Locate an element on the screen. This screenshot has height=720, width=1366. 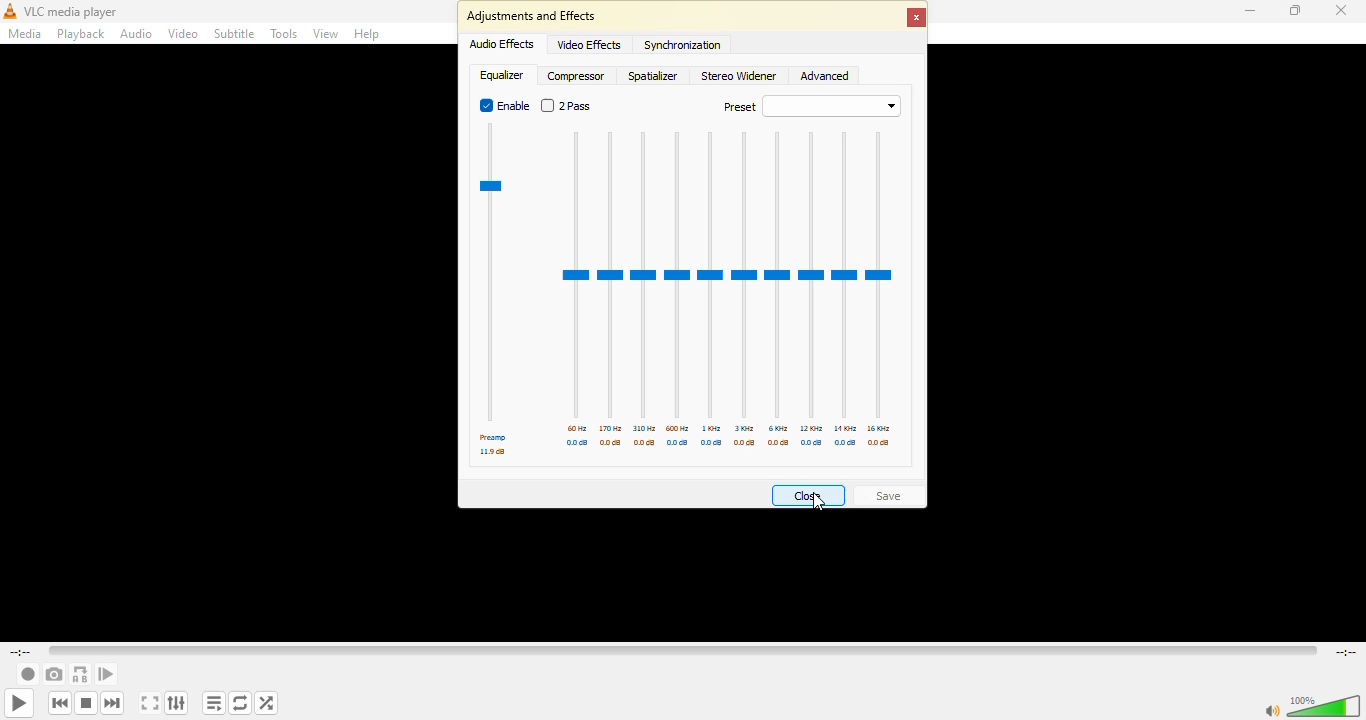
audio effects is located at coordinates (503, 44).